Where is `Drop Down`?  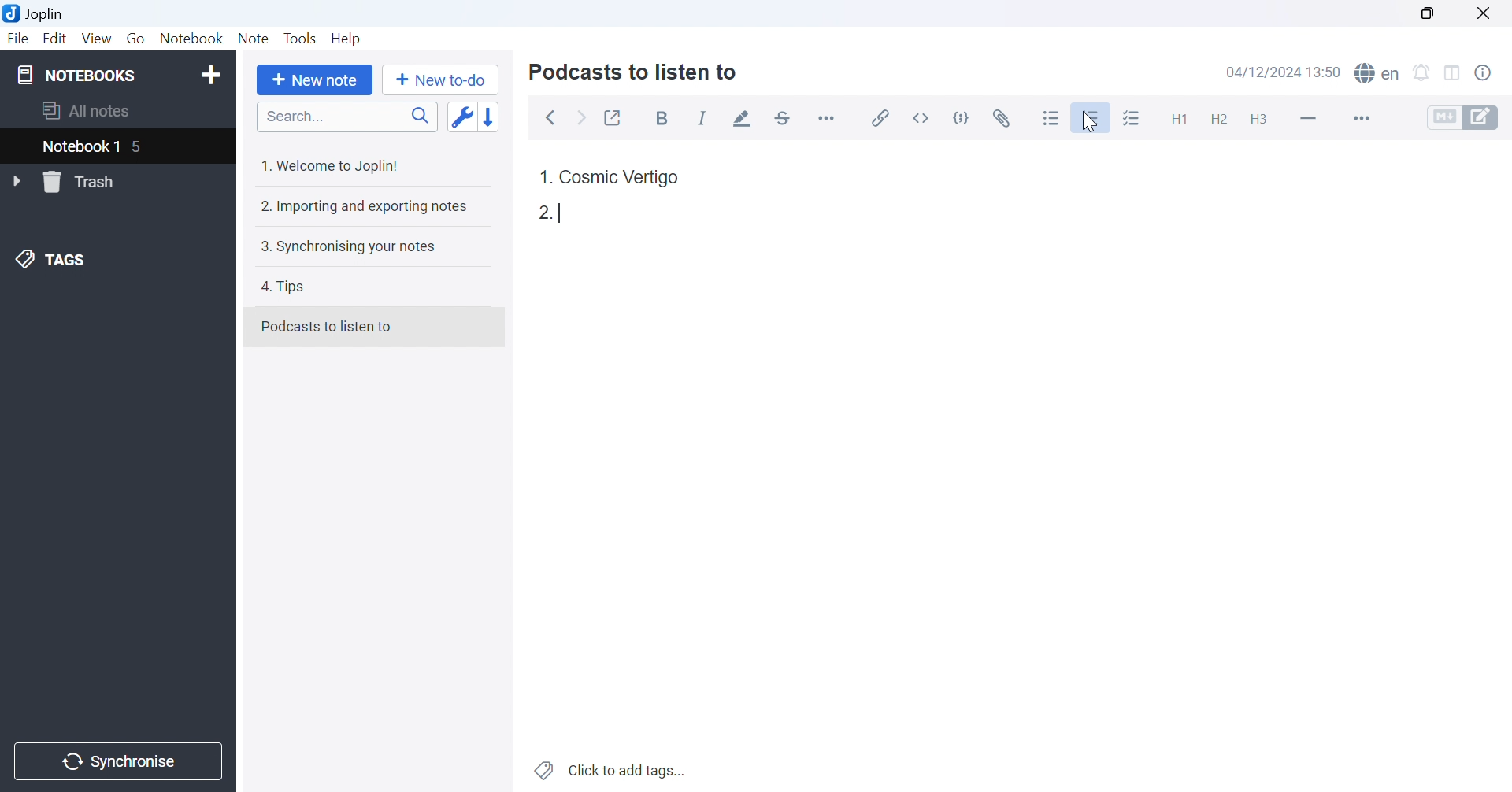 Drop Down is located at coordinates (18, 182).